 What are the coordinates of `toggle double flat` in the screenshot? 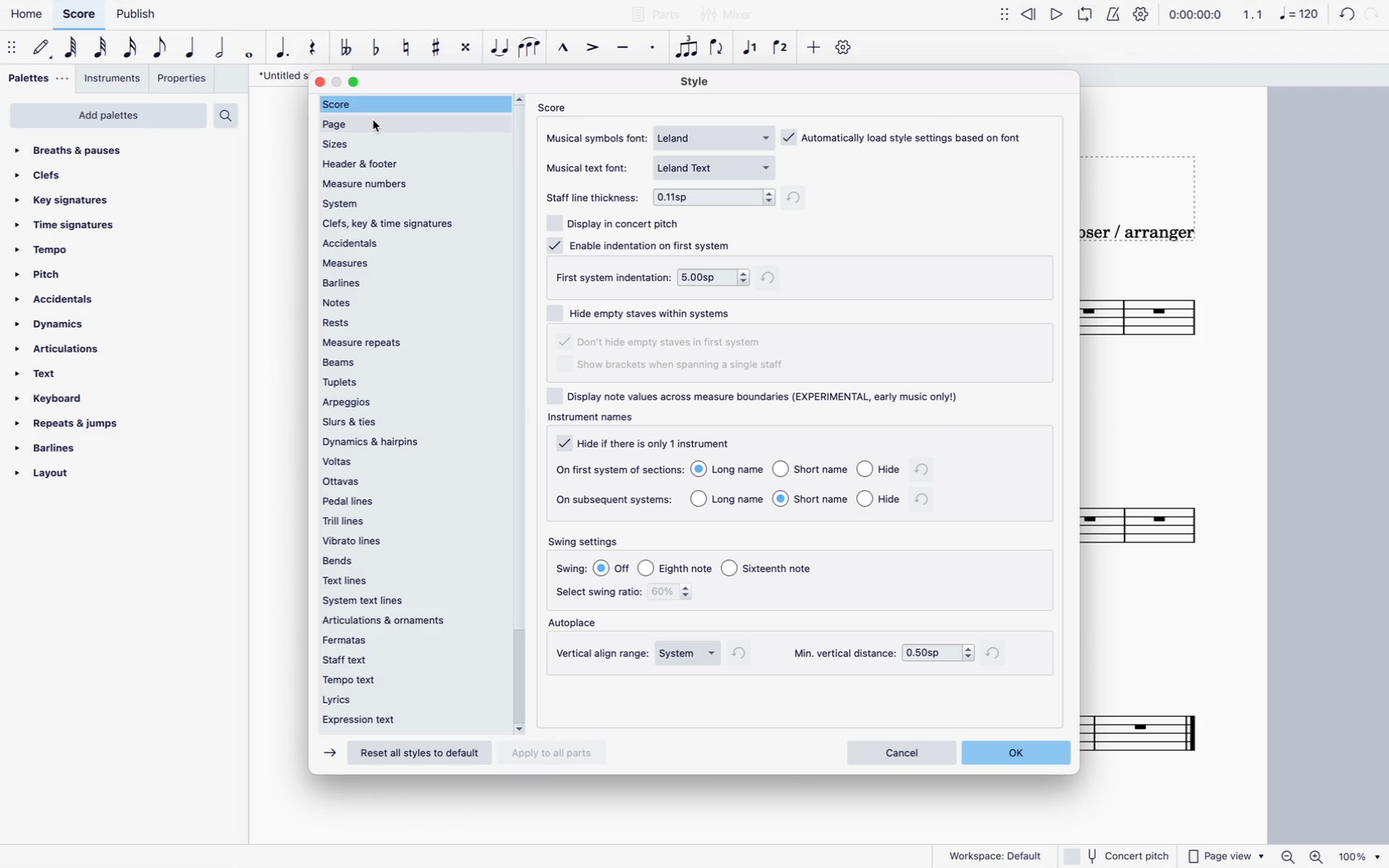 It's located at (348, 50).